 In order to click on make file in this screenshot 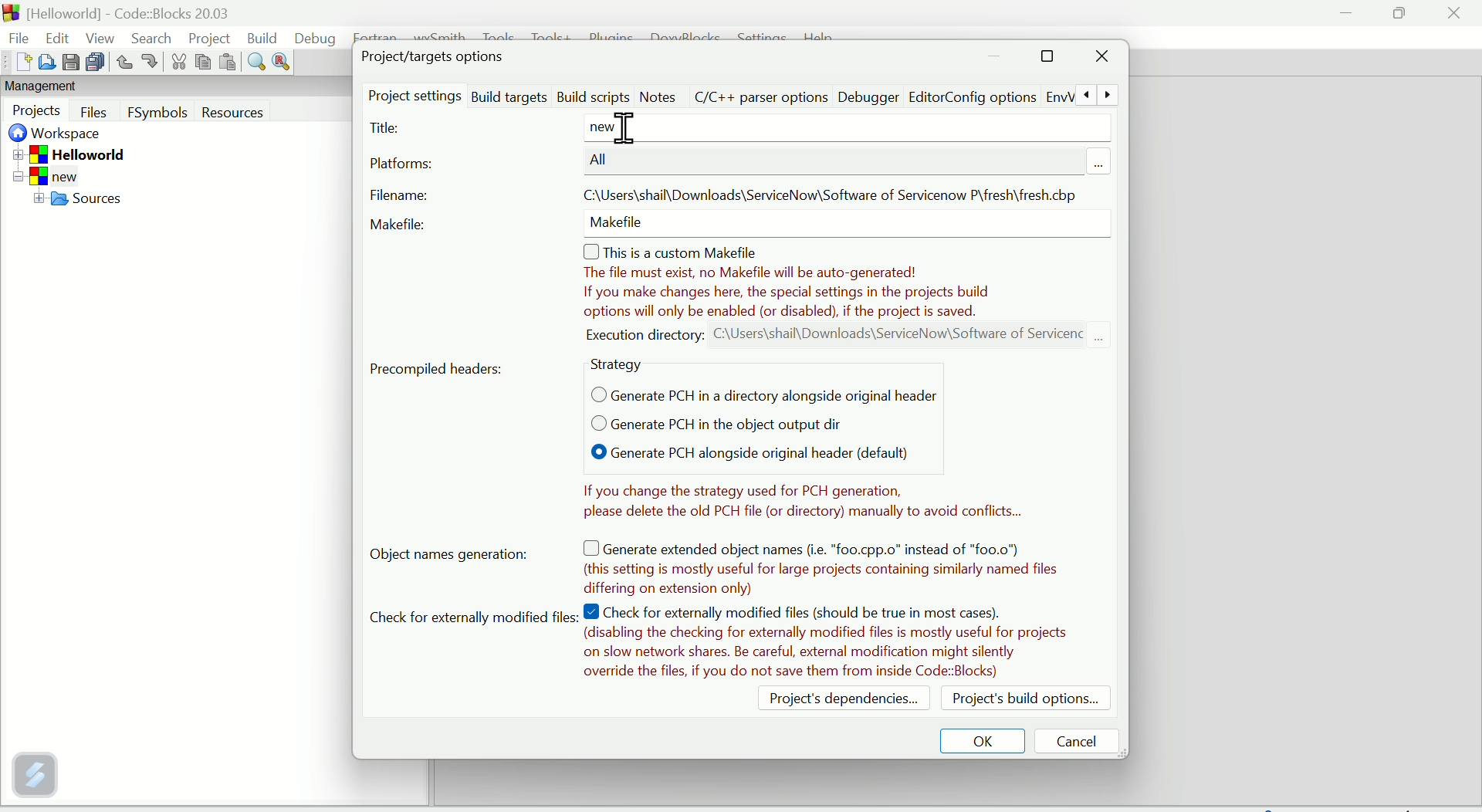, I will do `click(620, 227)`.